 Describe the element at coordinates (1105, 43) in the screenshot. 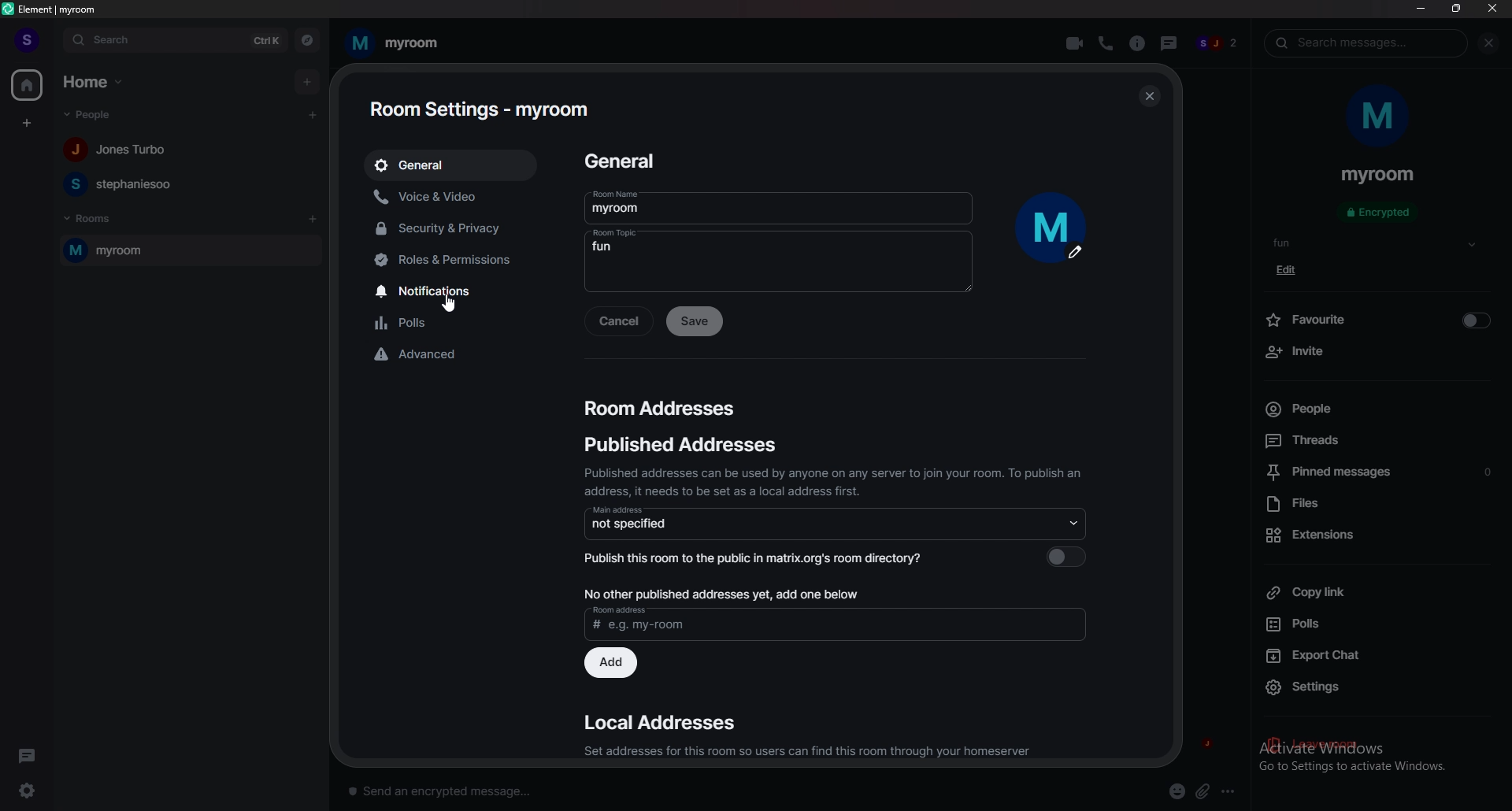

I see `voice call` at that location.